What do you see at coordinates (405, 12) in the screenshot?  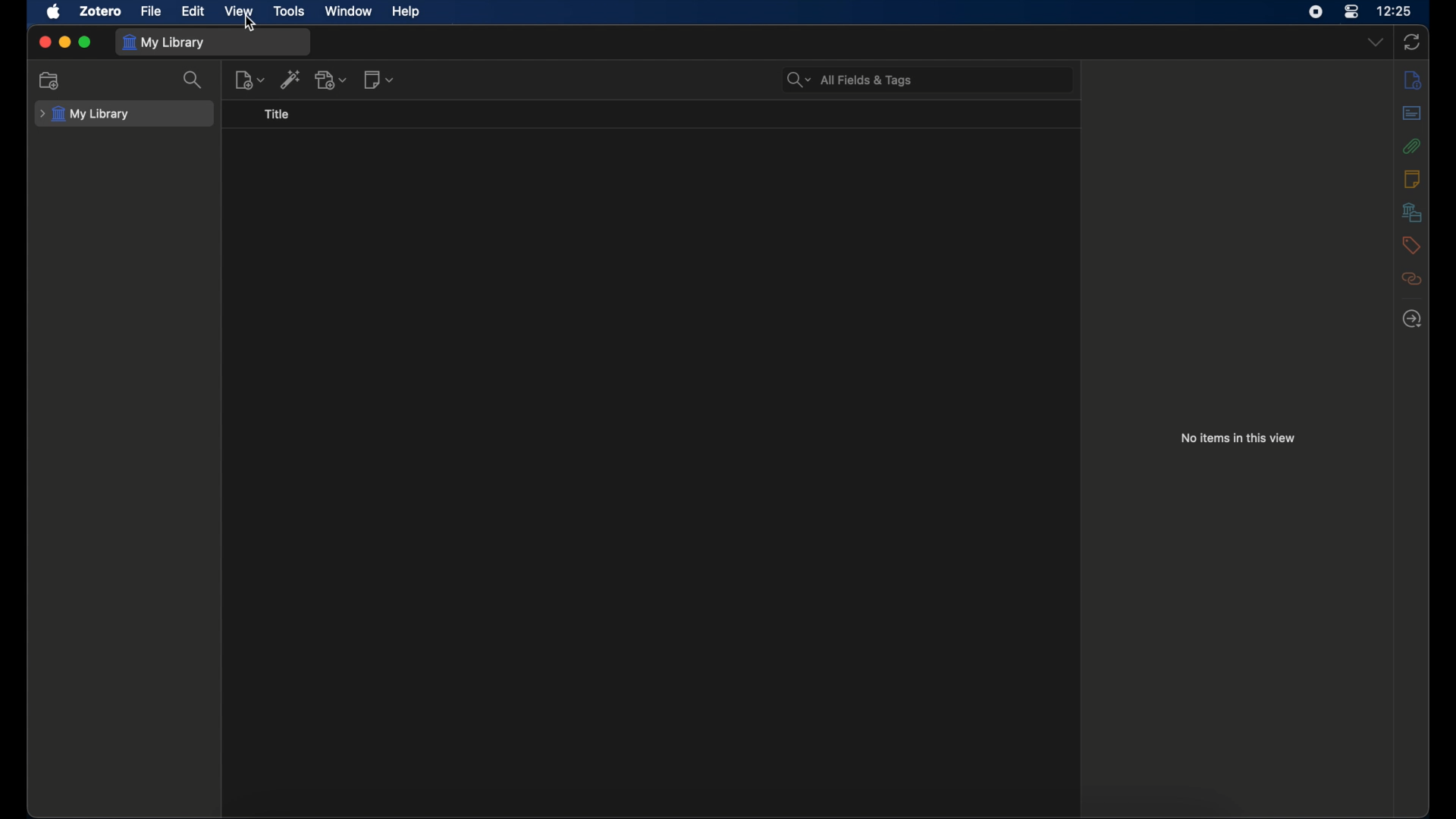 I see `help` at bounding box center [405, 12].